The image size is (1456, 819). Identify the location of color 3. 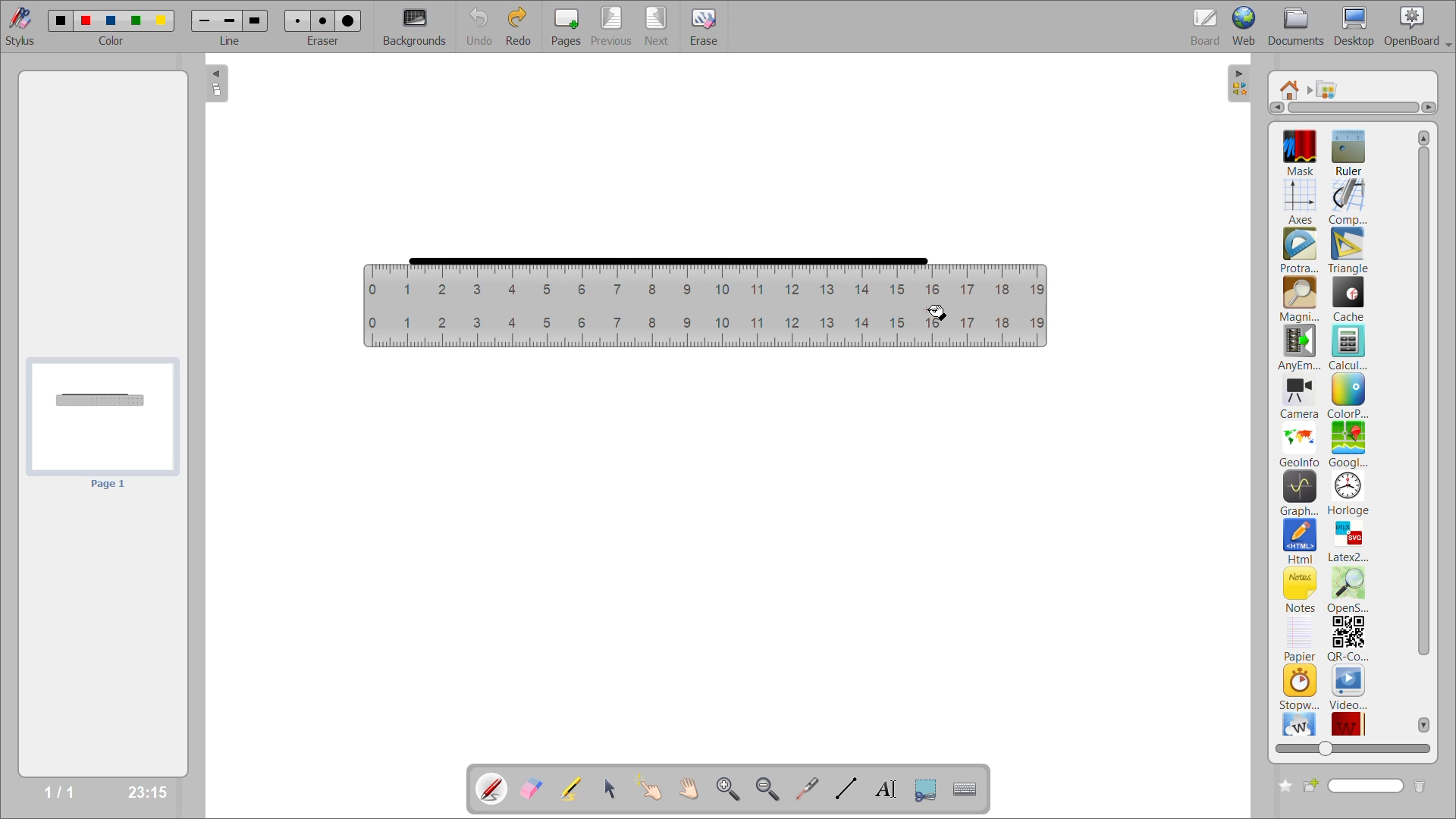
(110, 20).